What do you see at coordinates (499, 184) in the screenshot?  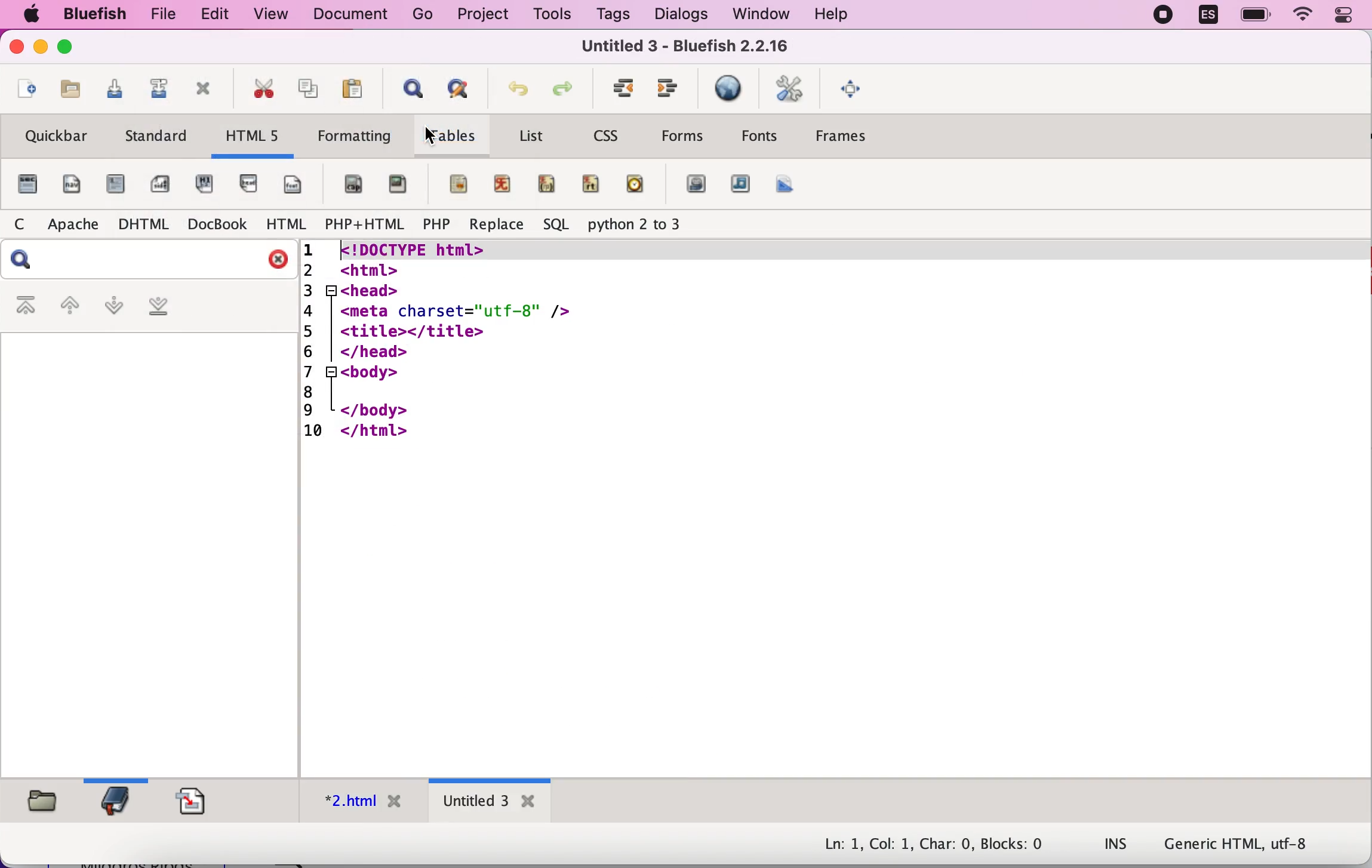 I see `ruby` at bounding box center [499, 184].